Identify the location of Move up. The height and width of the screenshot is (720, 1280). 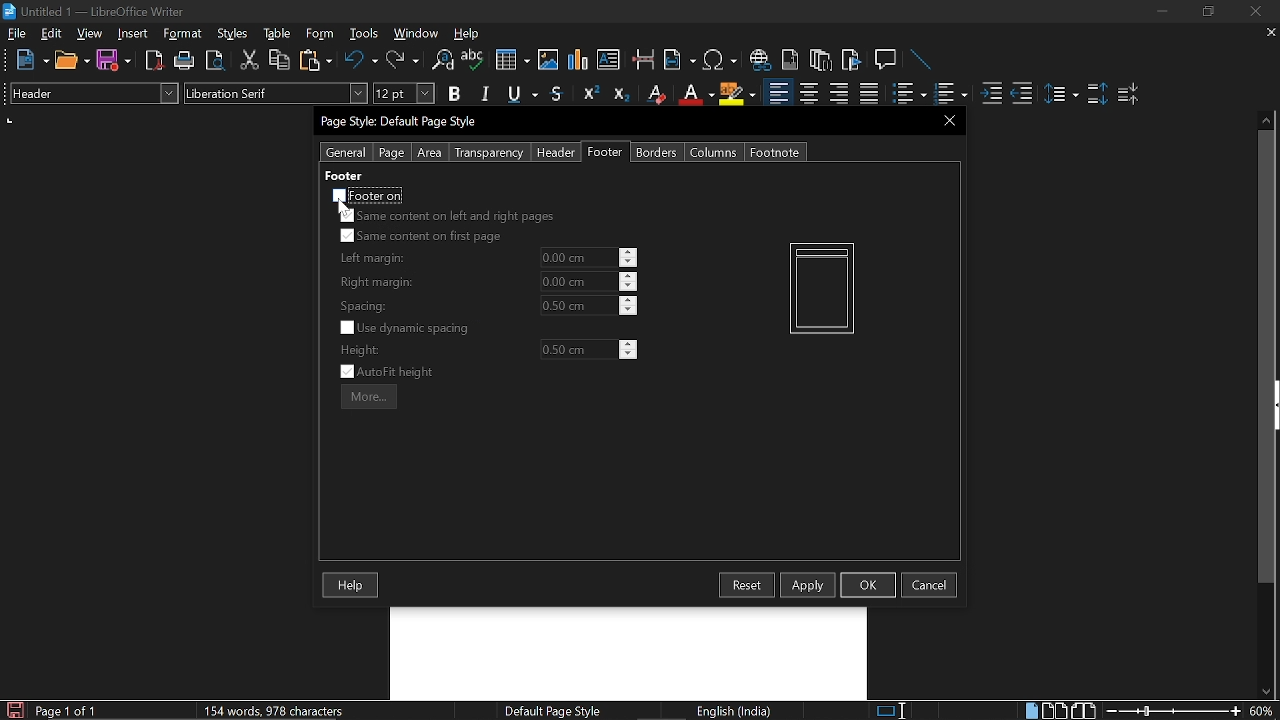
(1267, 118).